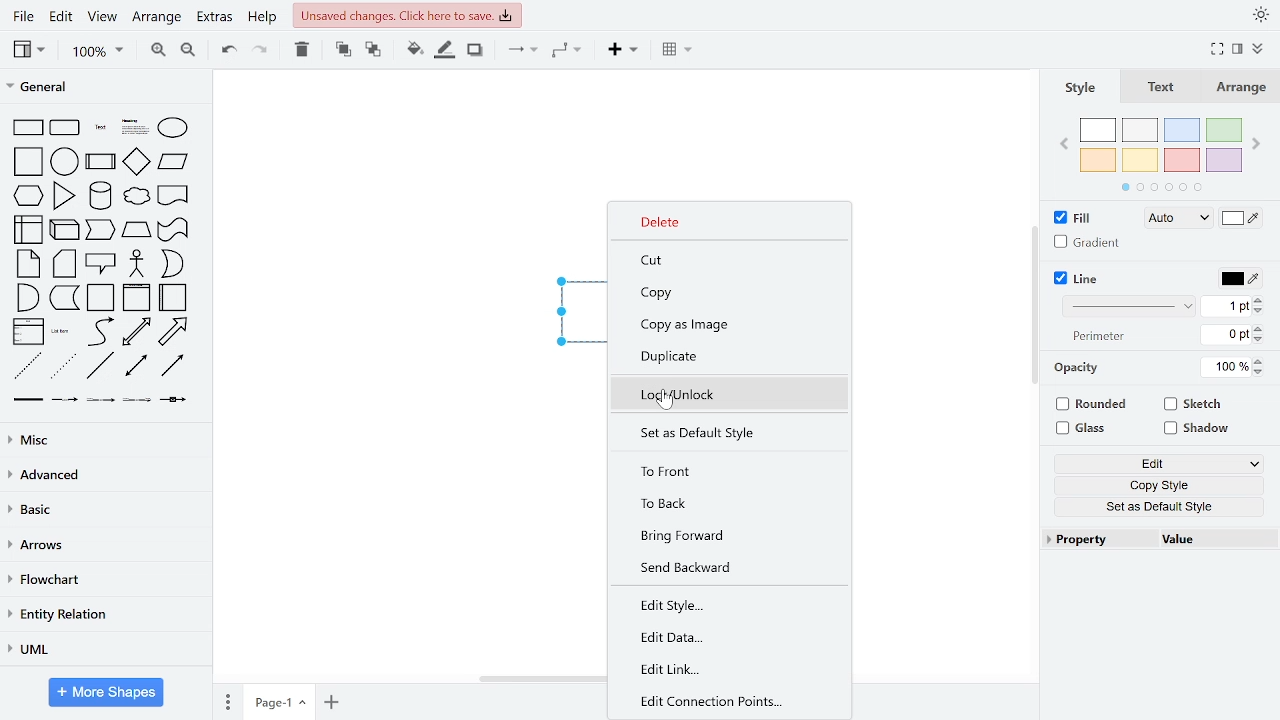 This screenshot has height=720, width=1280. What do you see at coordinates (99, 298) in the screenshot?
I see `container` at bounding box center [99, 298].